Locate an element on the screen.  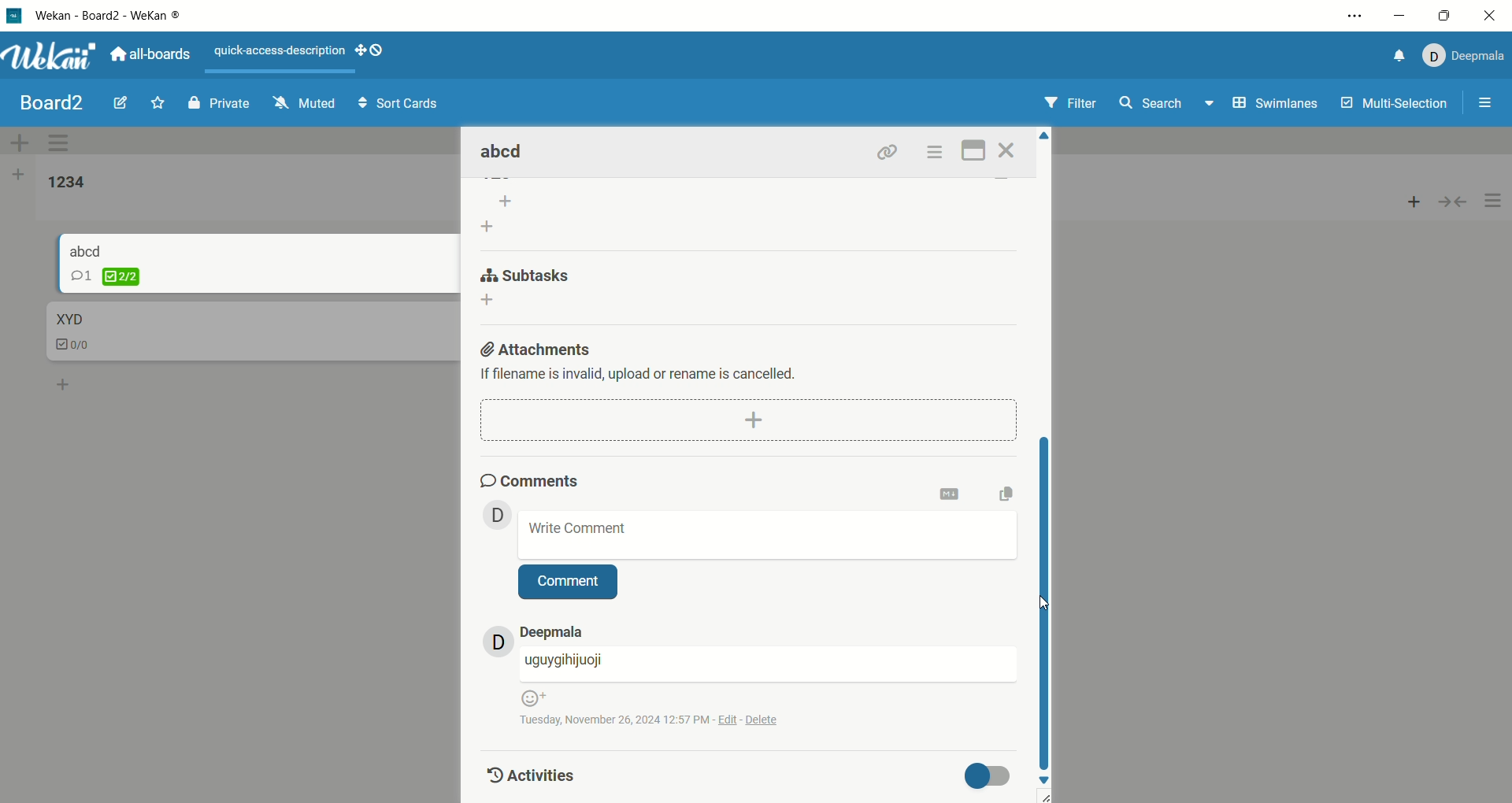
avatar is located at coordinates (498, 641).